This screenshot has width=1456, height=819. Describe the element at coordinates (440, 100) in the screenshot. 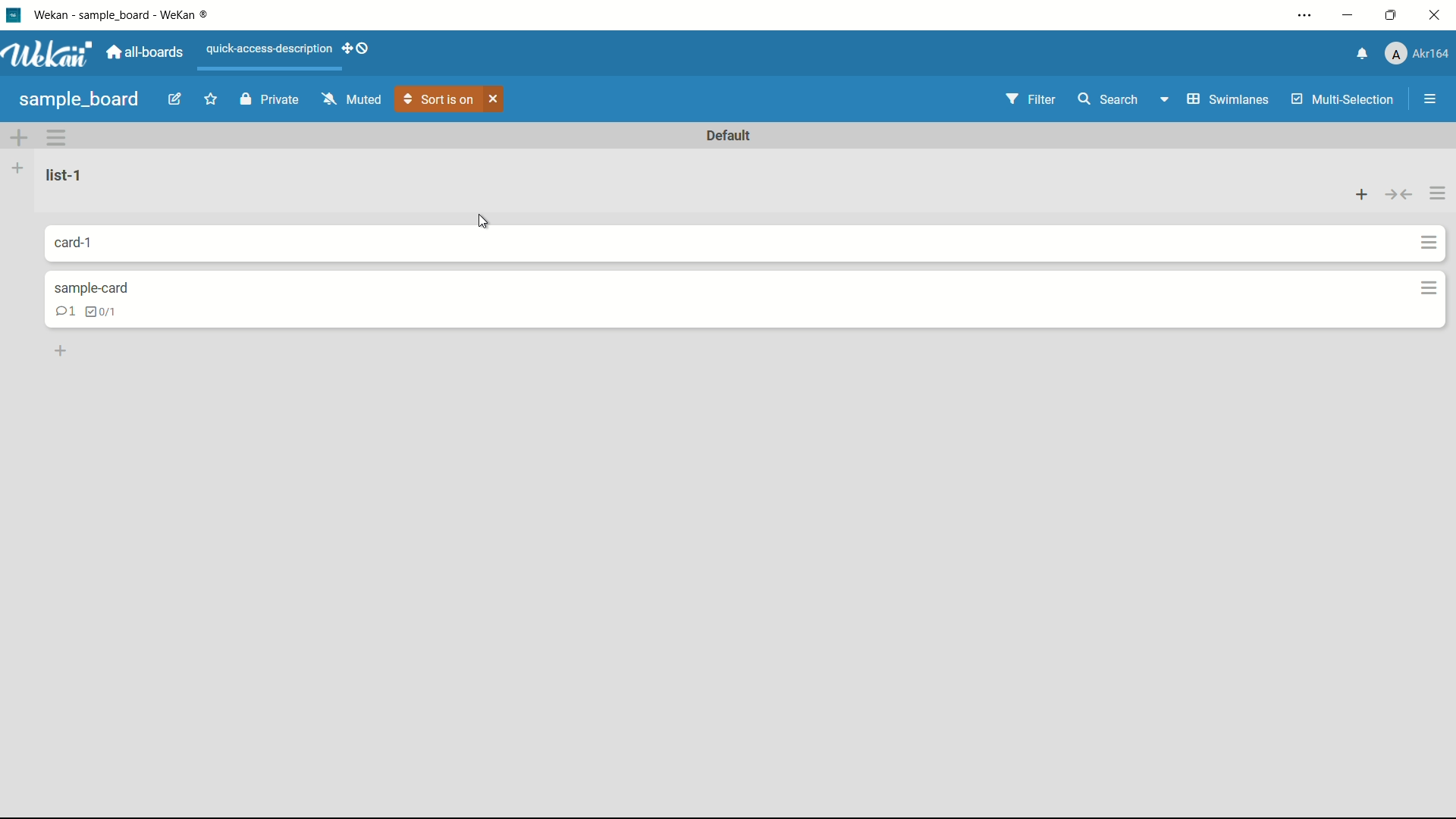

I see `sort cards` at that location.